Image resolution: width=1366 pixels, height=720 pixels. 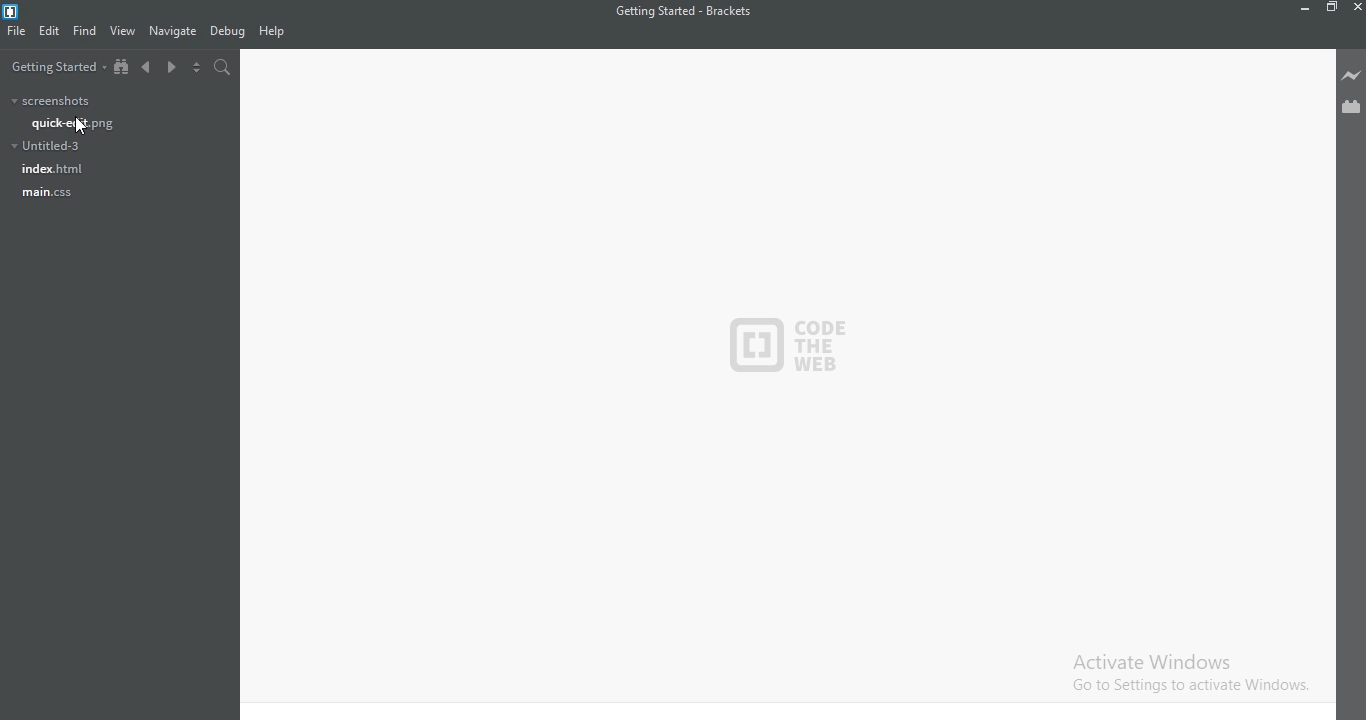 I want to click on help, so click(x=271, y=32).